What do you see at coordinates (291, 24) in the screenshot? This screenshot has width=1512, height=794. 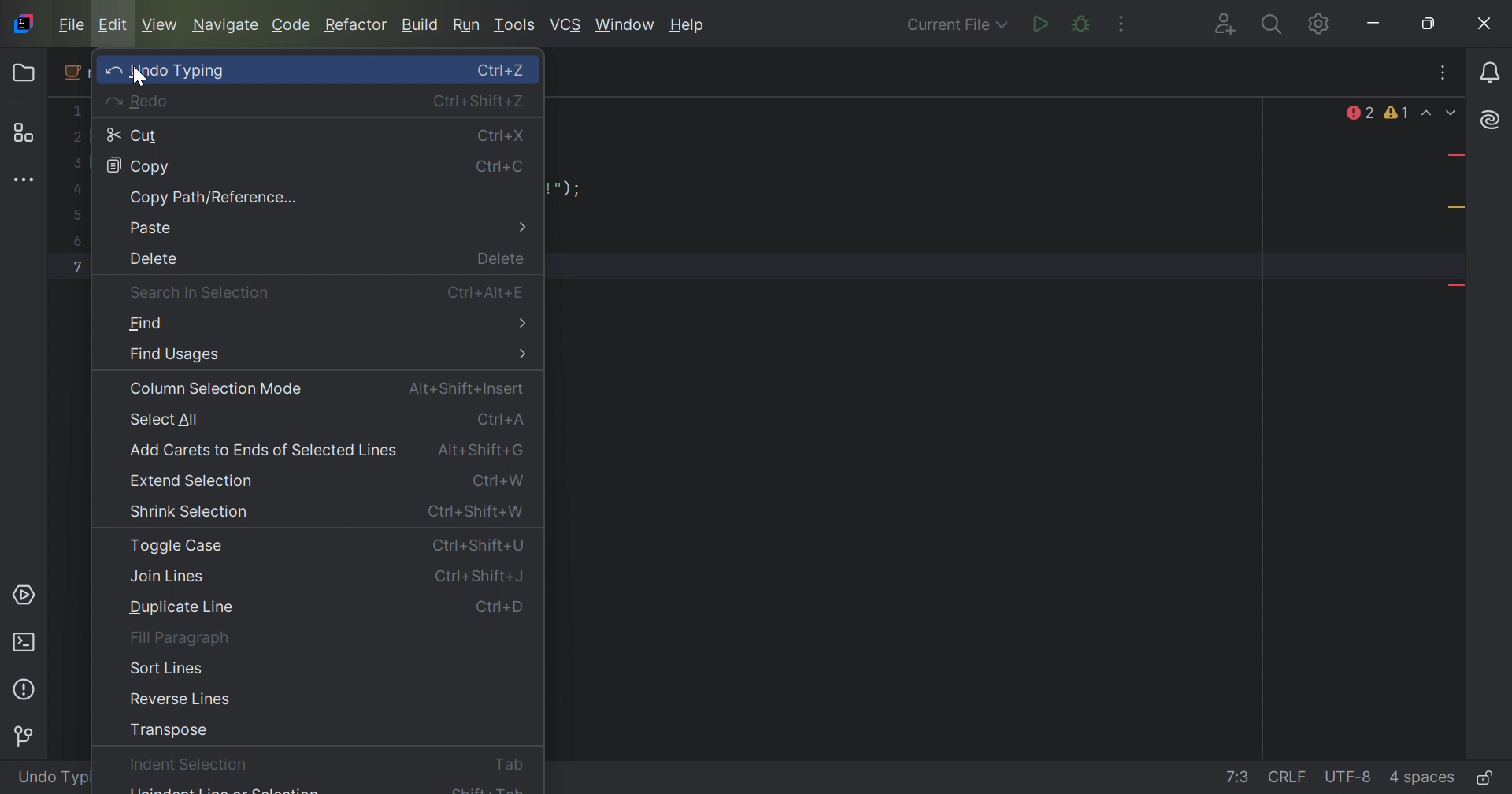 I see `Code` at bounding box center [291, 24].